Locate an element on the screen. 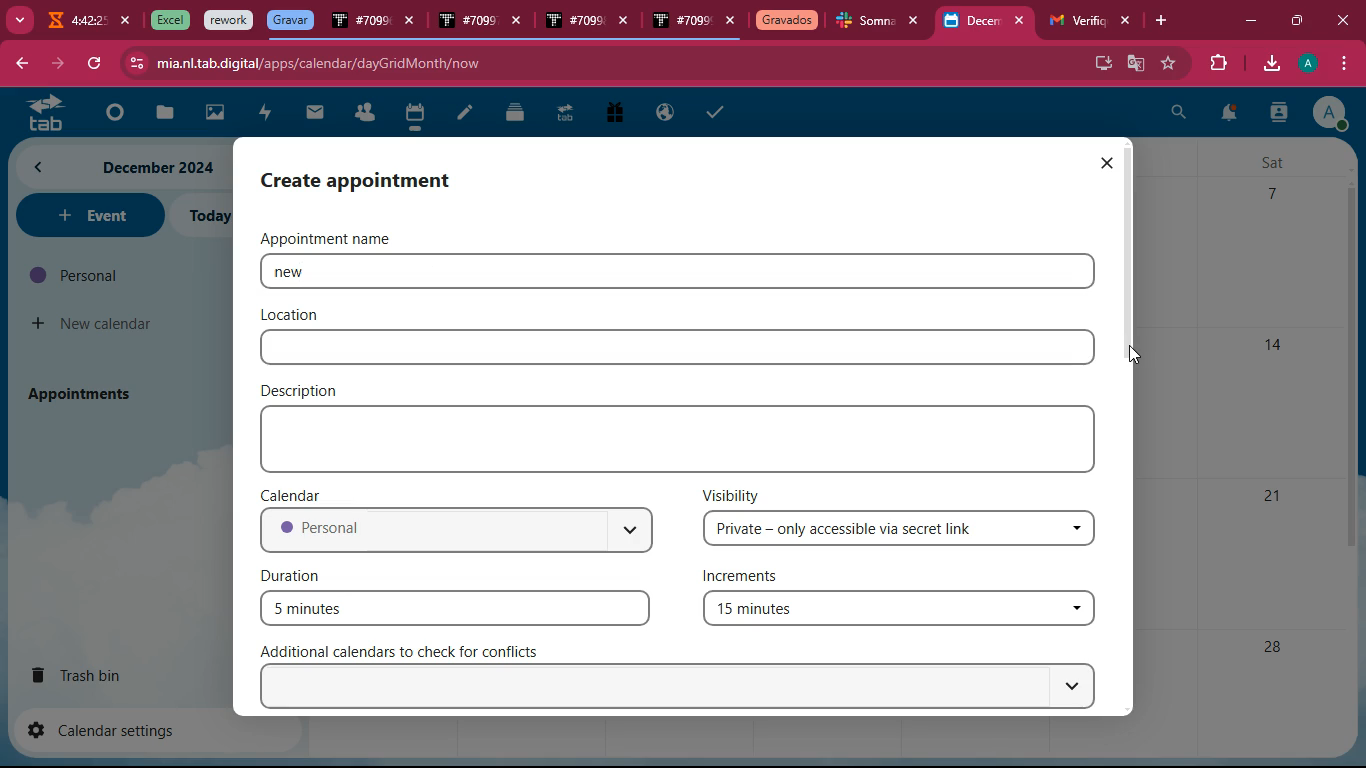 Image resolution: width=1366 pixels, height=768 pixels. close is located at coordinates (1106, 163).